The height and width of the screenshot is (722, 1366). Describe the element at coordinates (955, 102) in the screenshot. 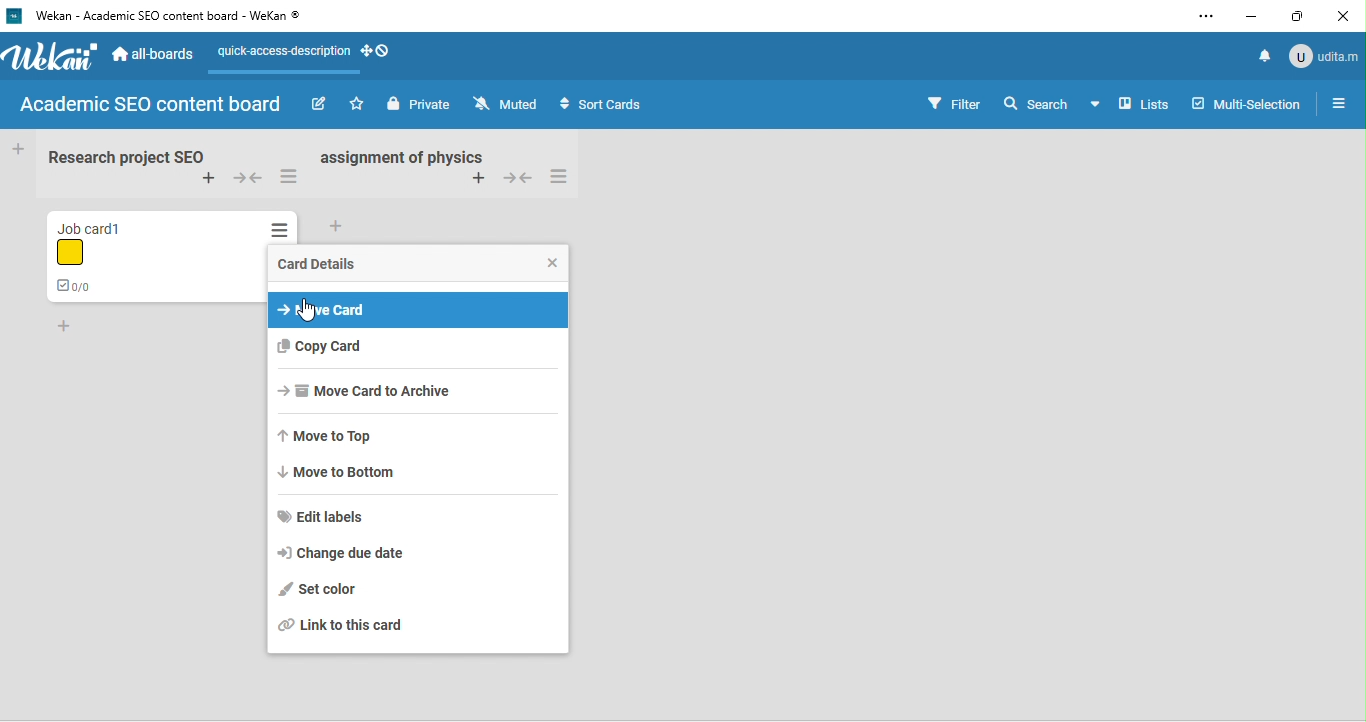

I see `filter` at that location.